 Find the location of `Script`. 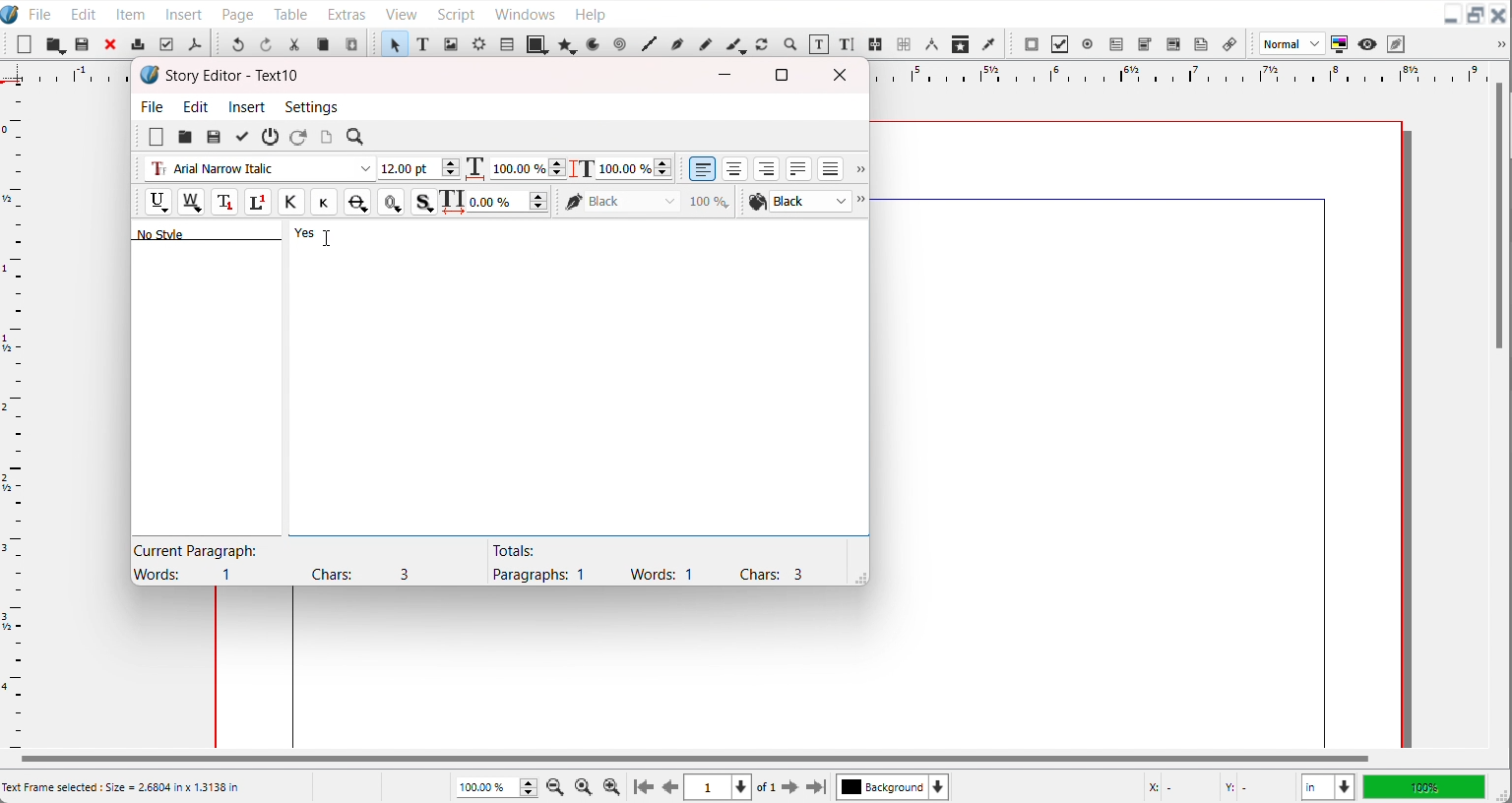

Script is located at coordinates (458, 13).